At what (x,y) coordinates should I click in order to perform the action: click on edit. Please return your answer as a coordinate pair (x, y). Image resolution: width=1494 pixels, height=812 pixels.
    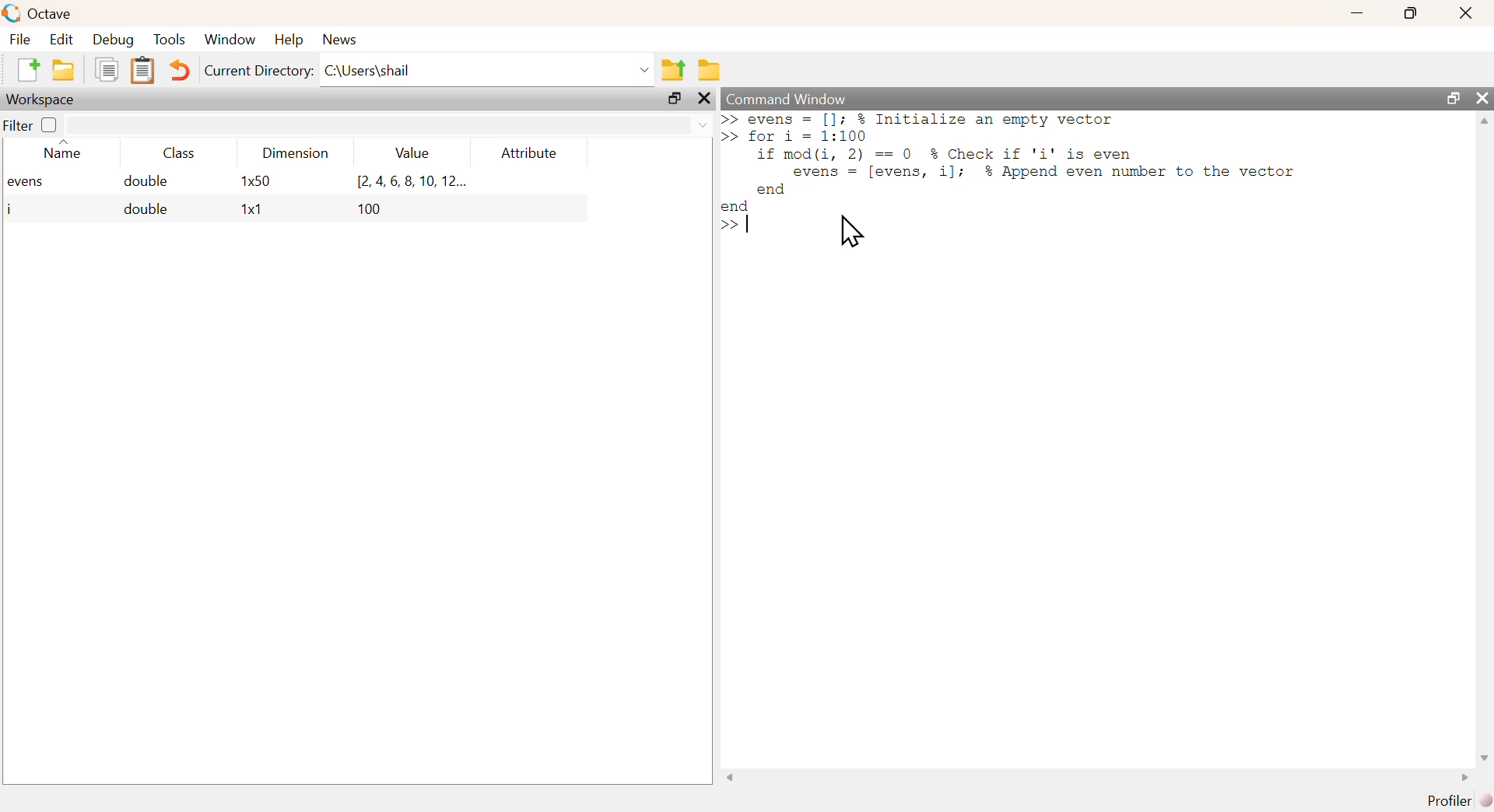
    Looking at the image, I should click on (60, 40).